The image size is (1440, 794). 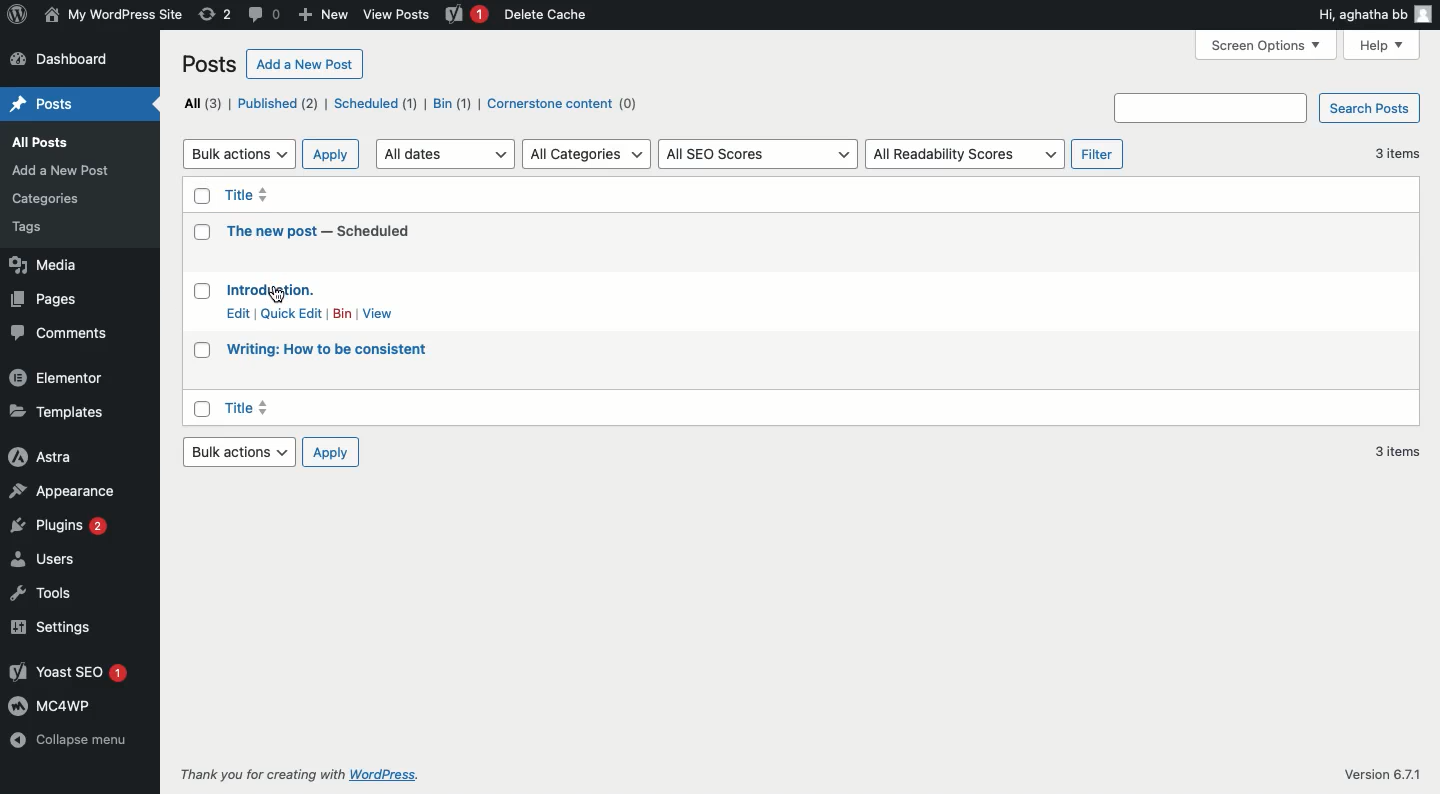 What do you see at coordinates (20, 15) in the screenshot?
I see `Logo` at bounding box center [20, 15].